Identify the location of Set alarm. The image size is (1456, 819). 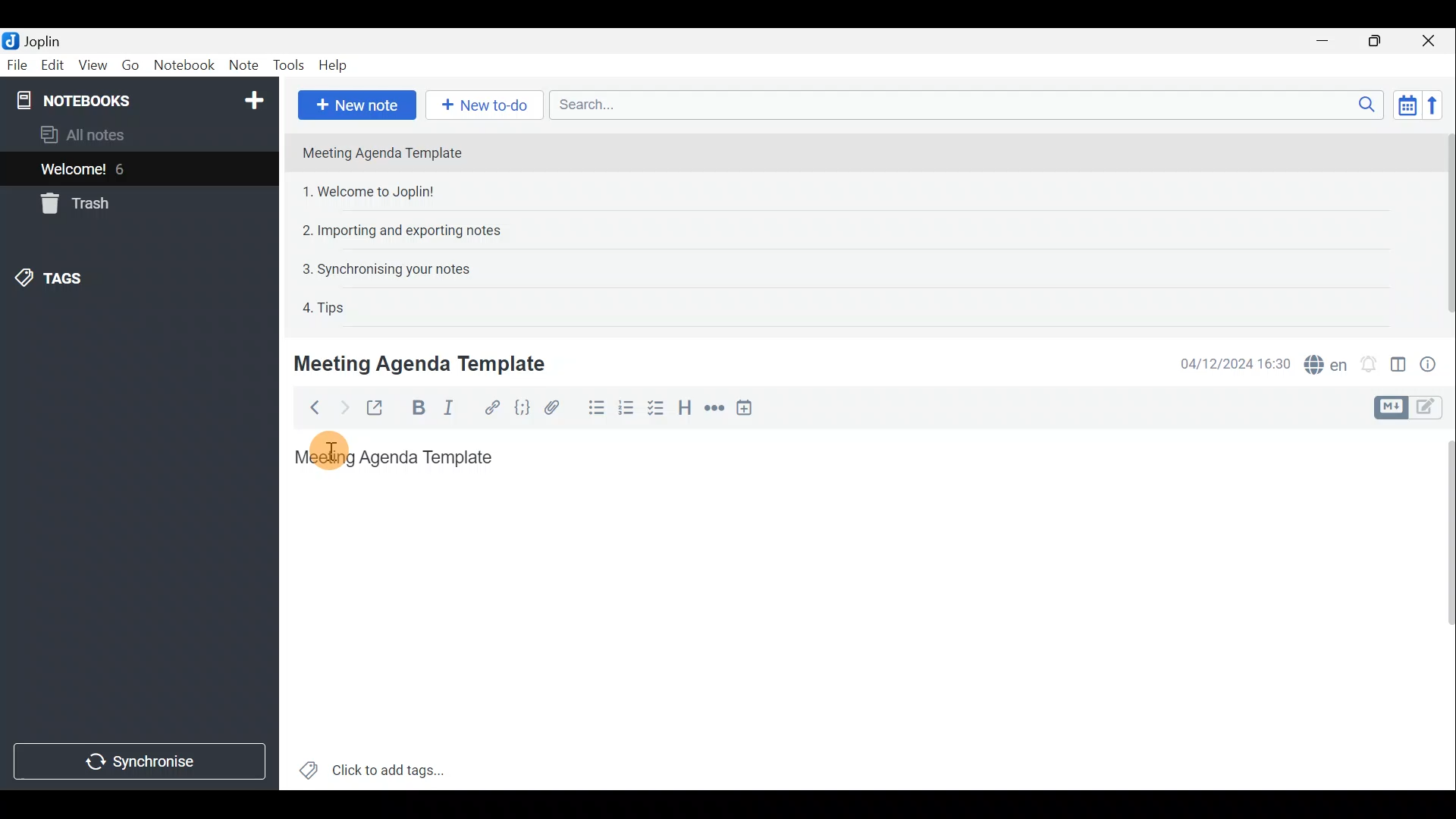
(1370, 364).